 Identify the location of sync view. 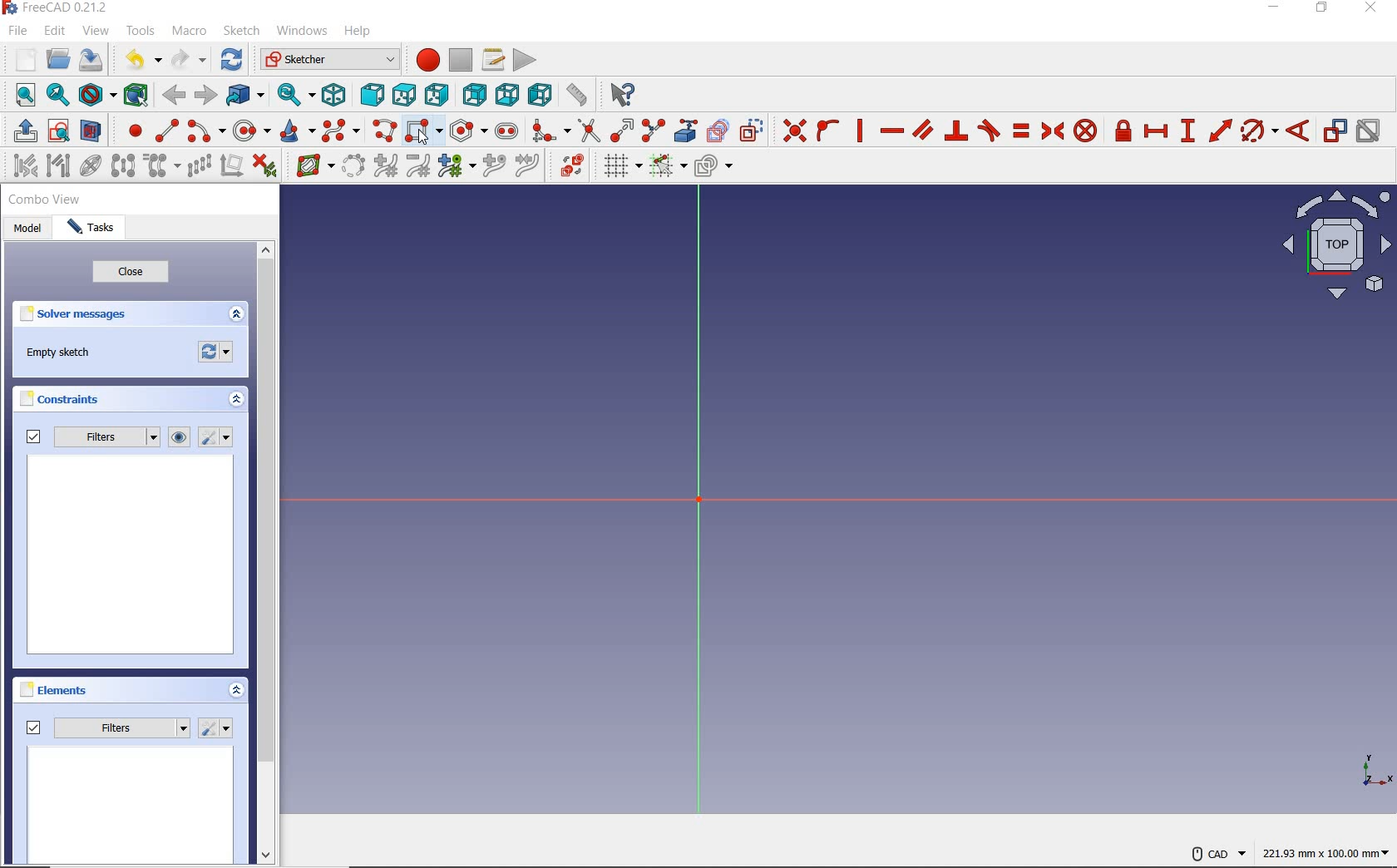
(292, 96).